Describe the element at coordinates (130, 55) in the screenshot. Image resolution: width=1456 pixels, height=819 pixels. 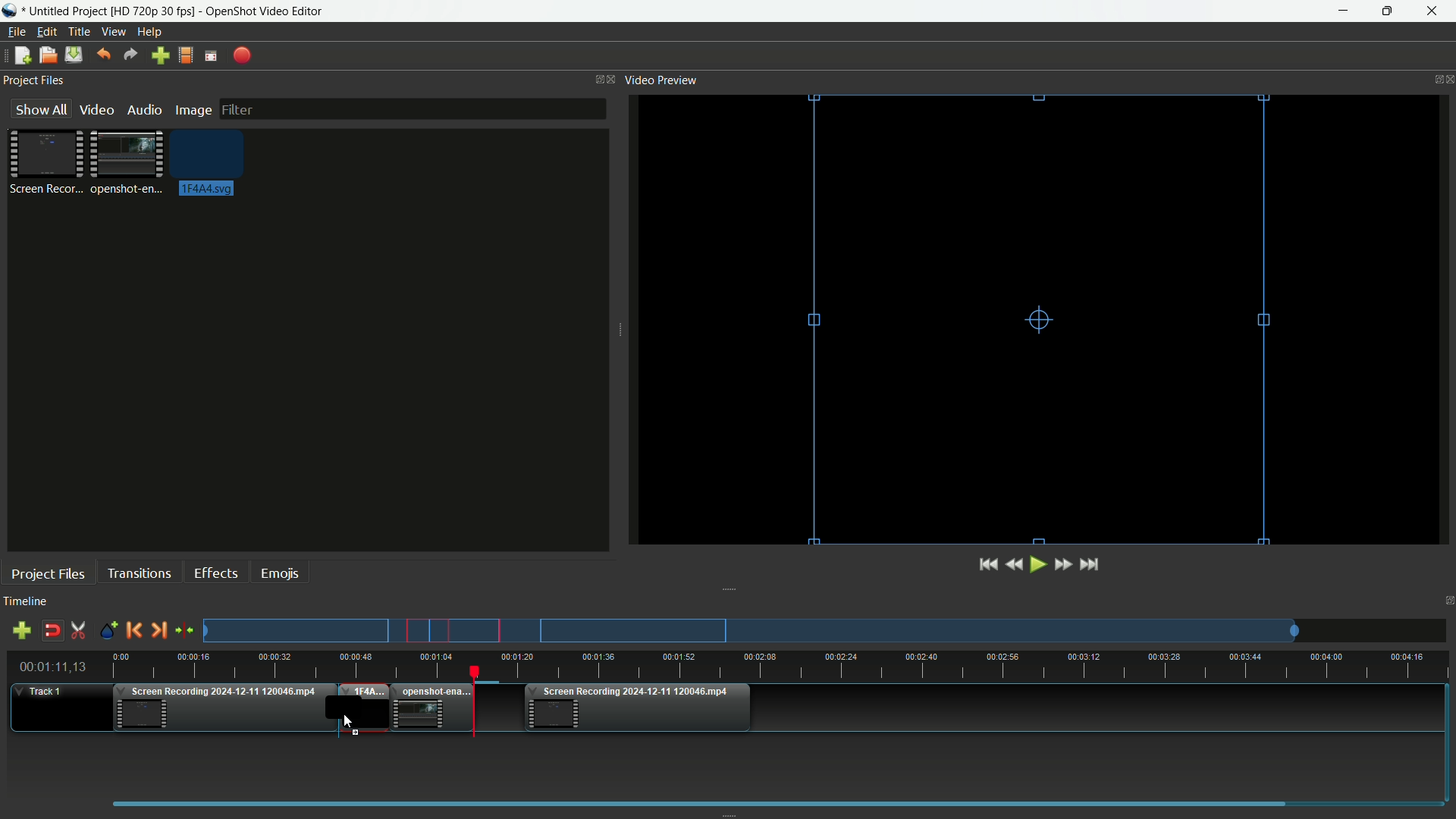
I see `Redo` at that location.